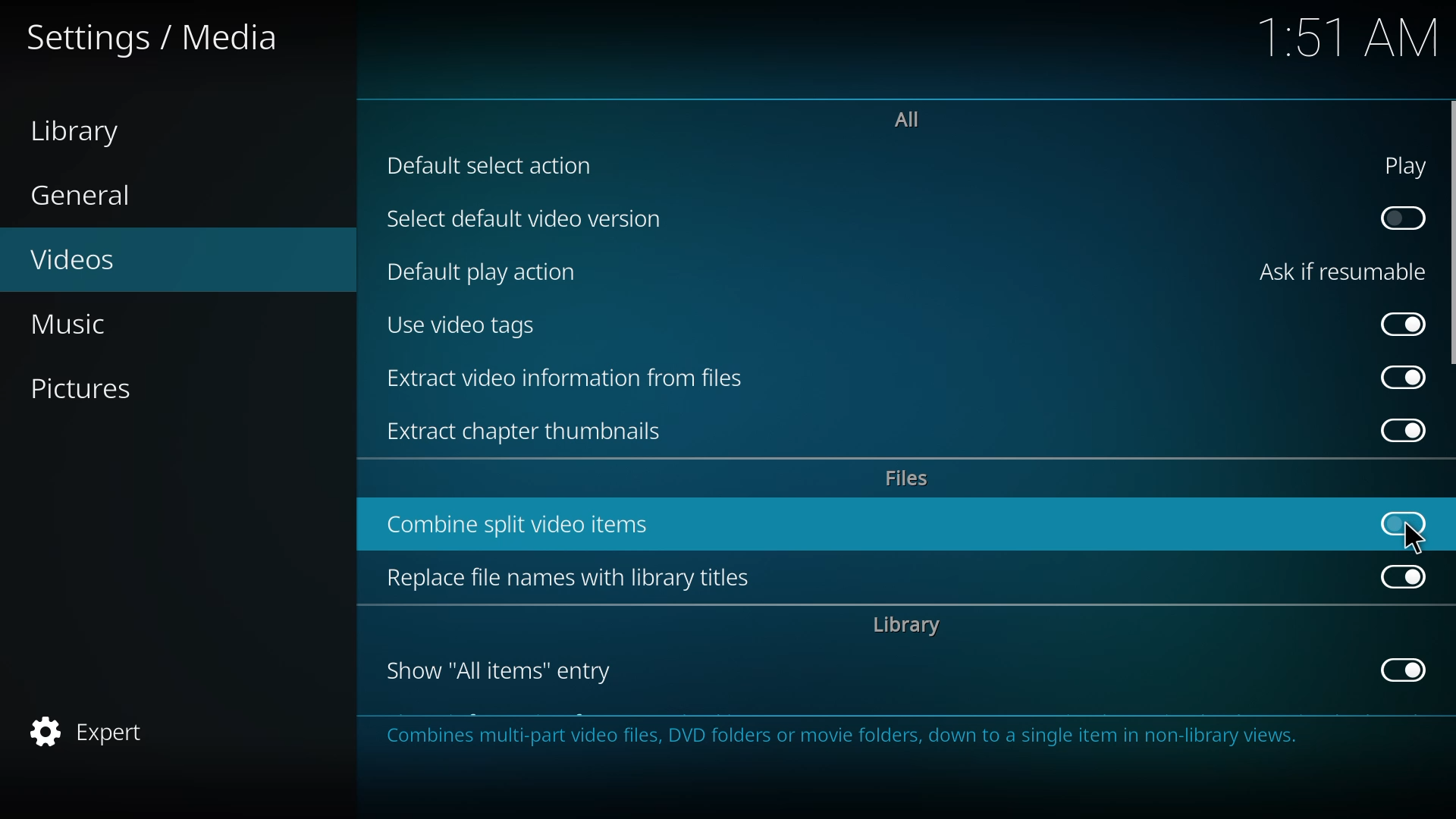 Image resolution: width=1456 pixels, height=819 pixels. Describe the element at coordinates (1397, 218) in the screenshot. I see `click to enable` at that location.